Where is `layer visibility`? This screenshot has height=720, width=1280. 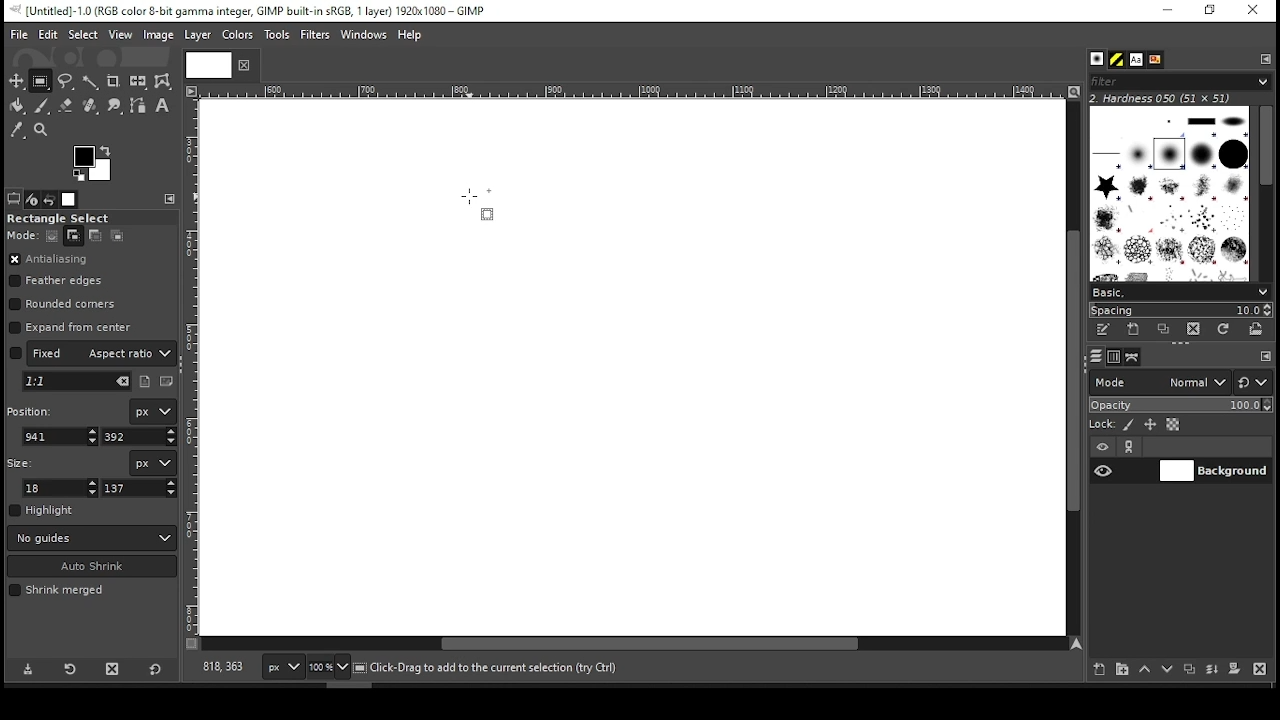
layer visibility is located at coordinates (1103, 447).